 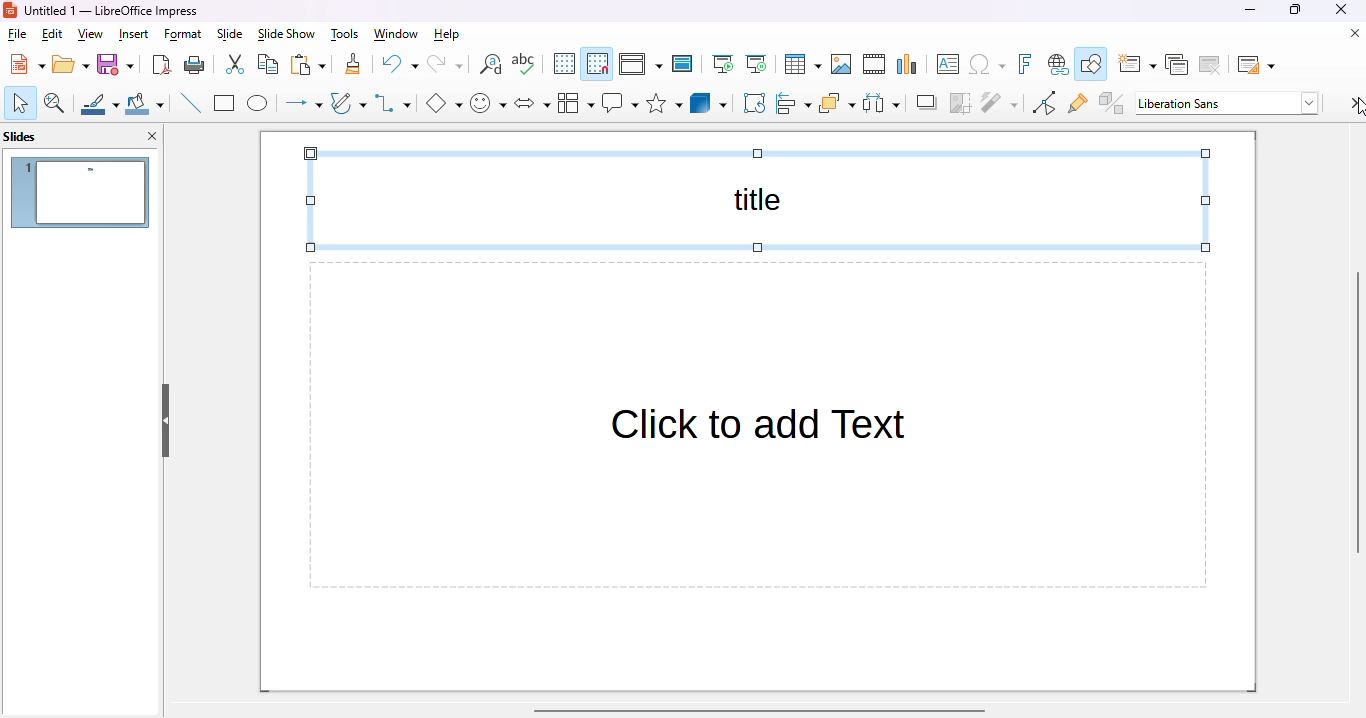 What do you see at coordinates (1295, 10) in the screenshot?
I see `maximize` at bounding box center [1295, 10].